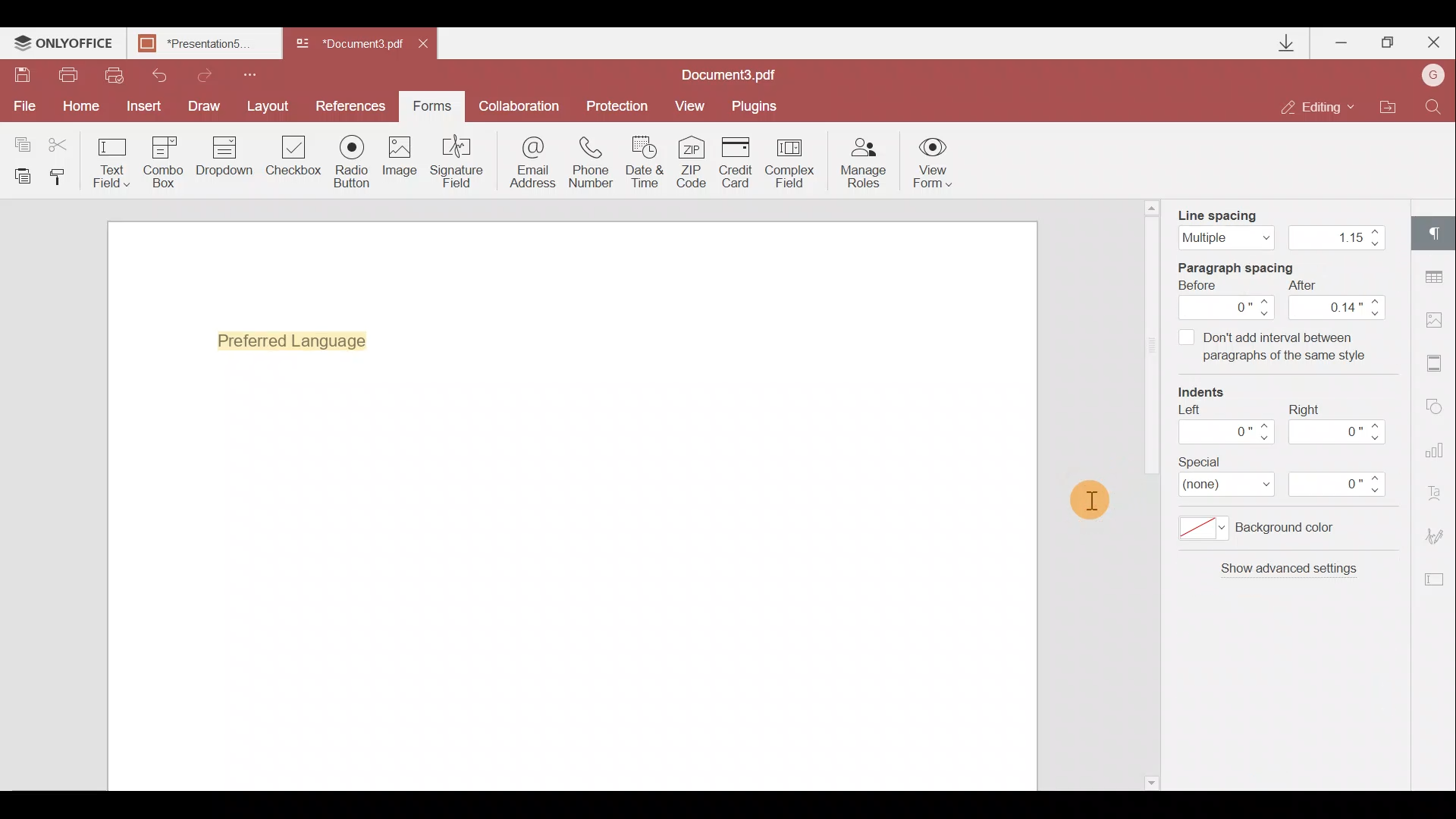  Describe the element at coordinates (1434, 105) in the screenshot. I see `Find` at that location.